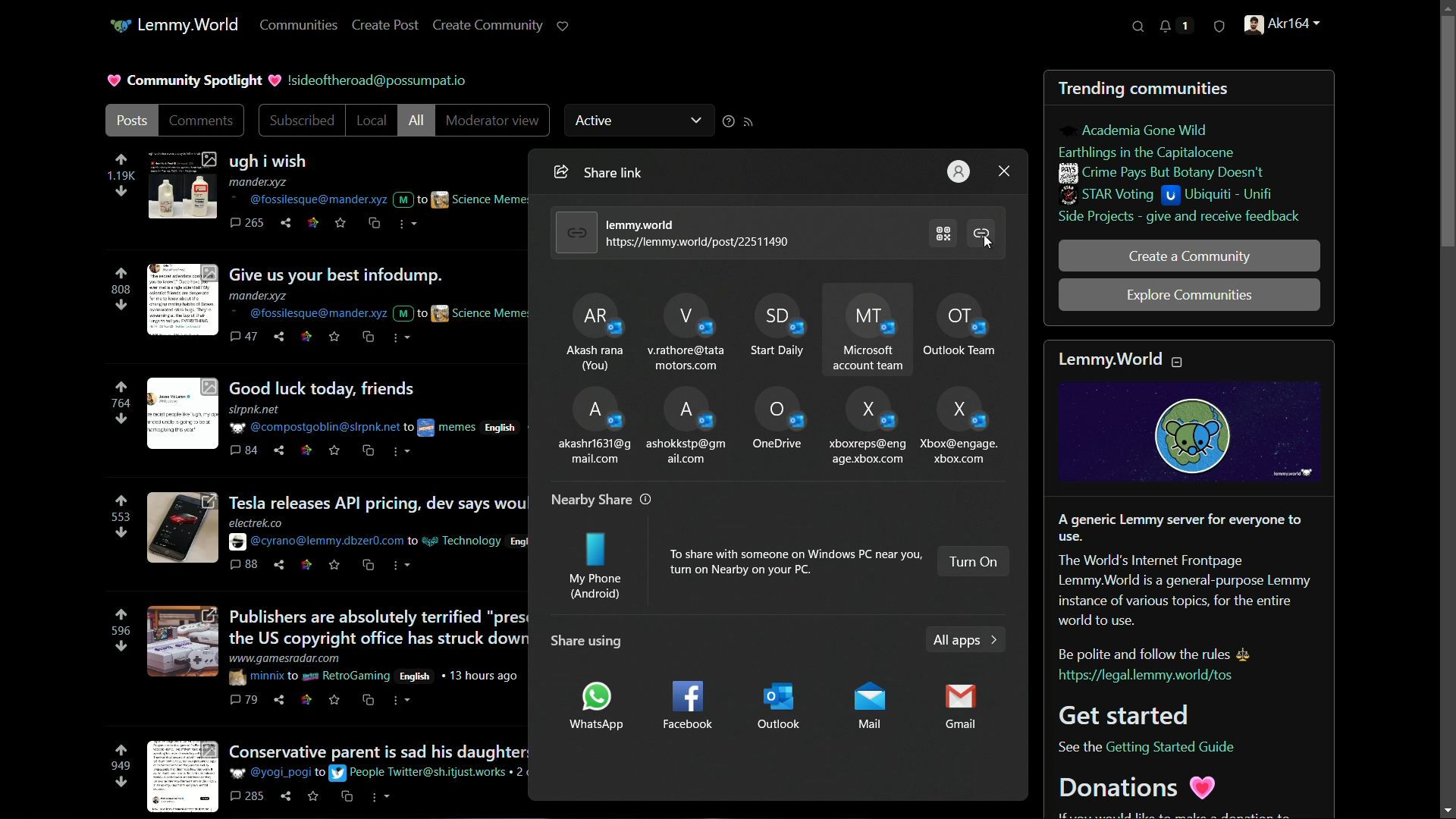 Image resolution: width=1456 pixels, height=819 pixels. What do you see at coordinates (303, 122) in the screenshot?
I see `subscribed` at bounding box center [303, 122].